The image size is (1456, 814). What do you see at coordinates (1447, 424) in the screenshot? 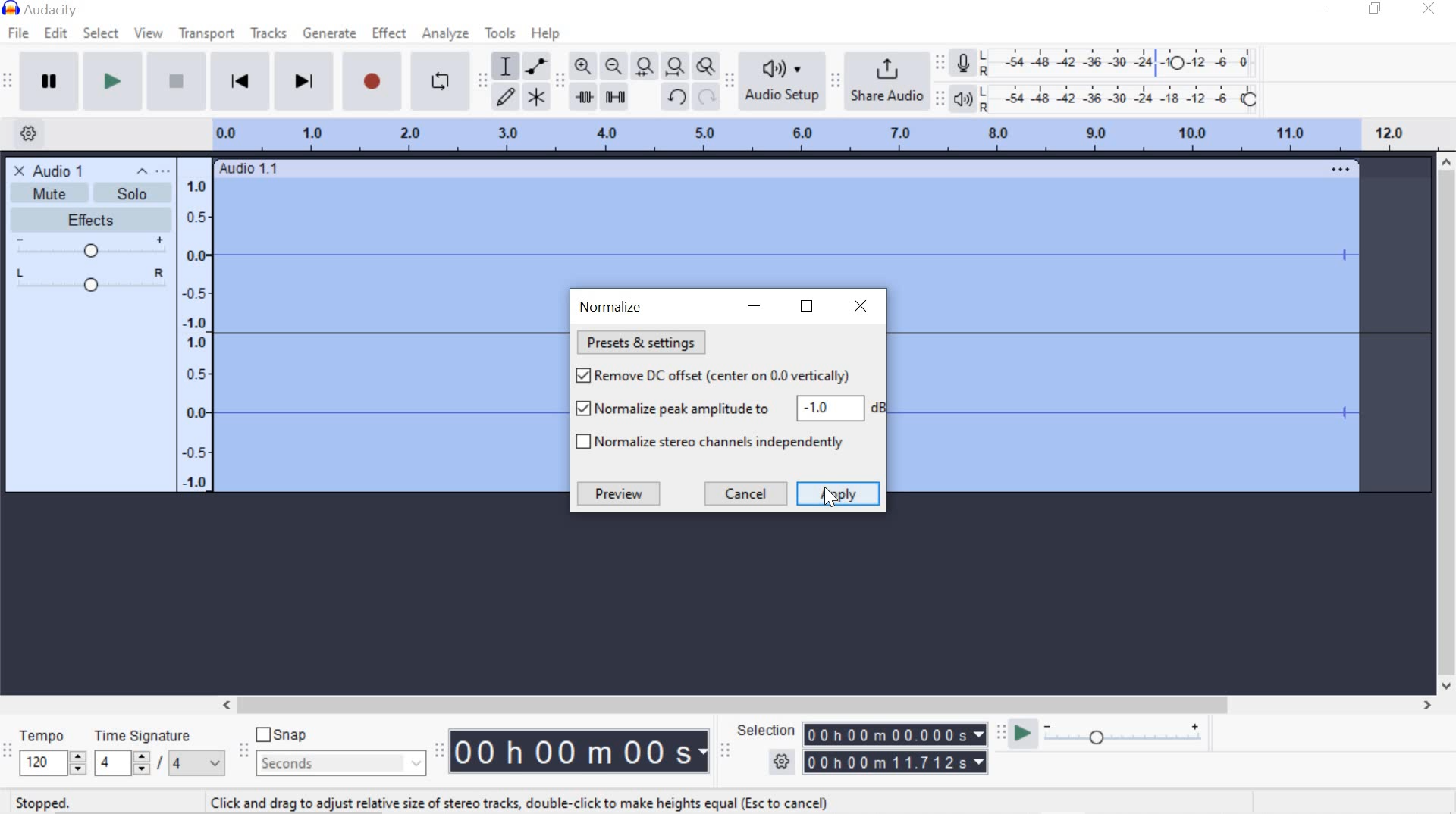
I see `scrollbar` at bounding box center [1447, 424].